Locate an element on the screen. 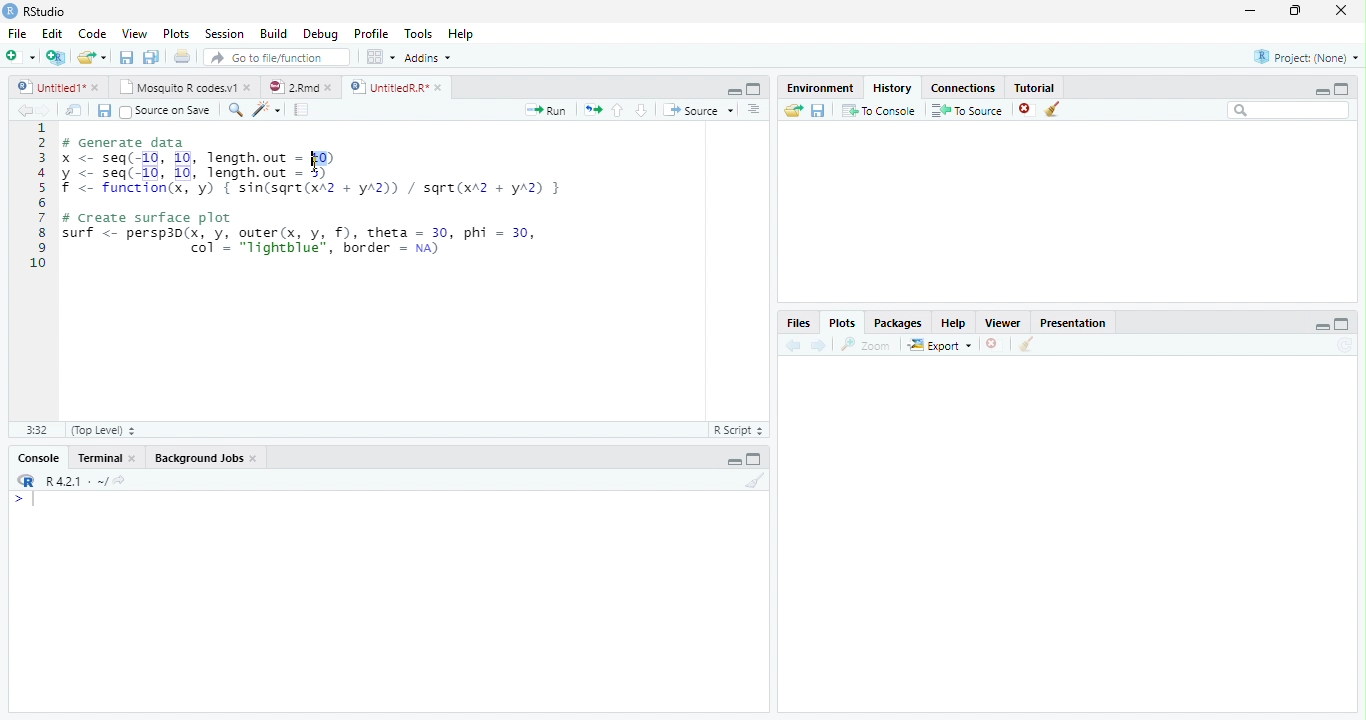 The height and width of the screenshot is (720, 1366). To Source is located at coordinates (966, 110).